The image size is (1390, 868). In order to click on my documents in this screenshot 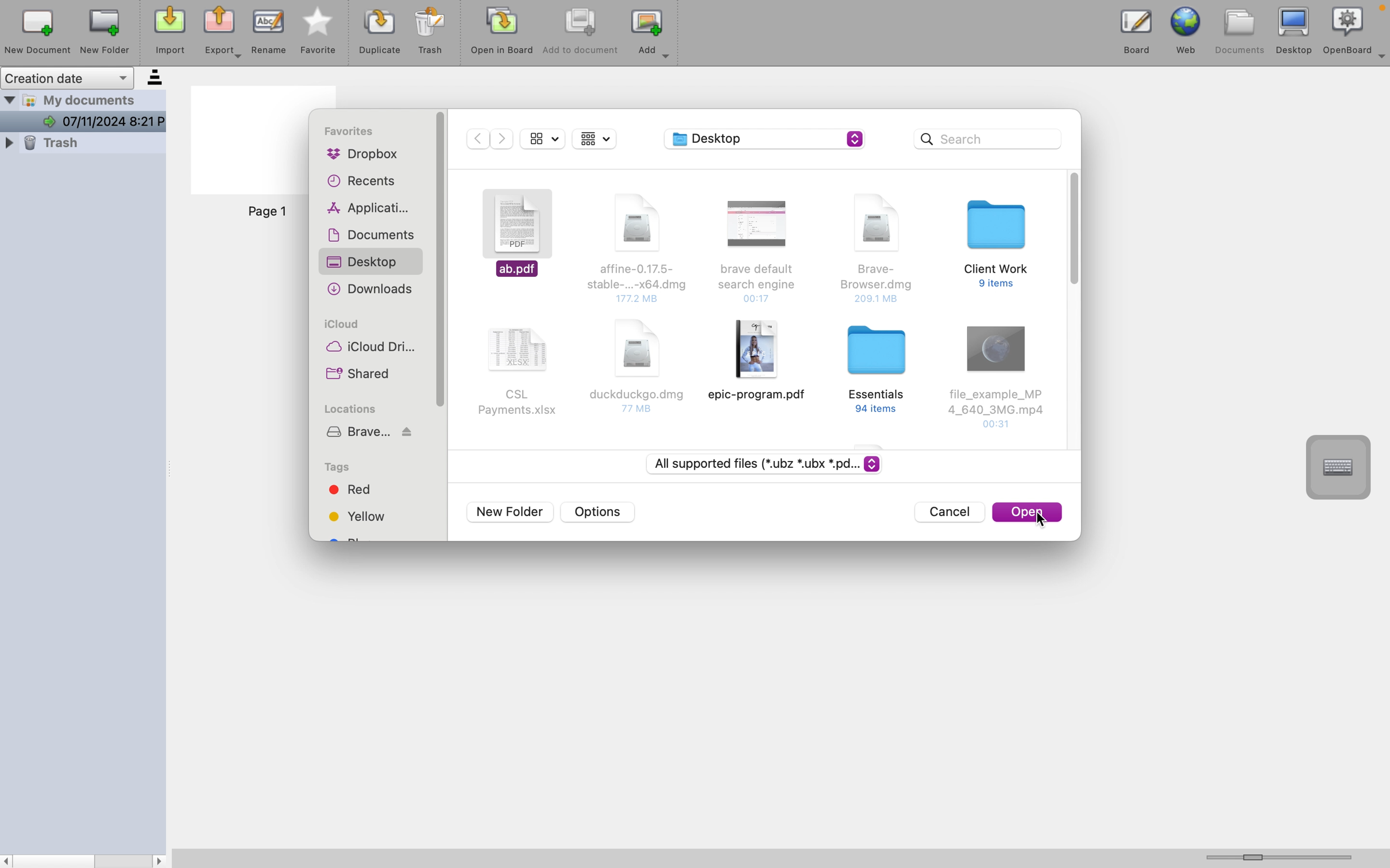, I will do `click(87, 111)`.